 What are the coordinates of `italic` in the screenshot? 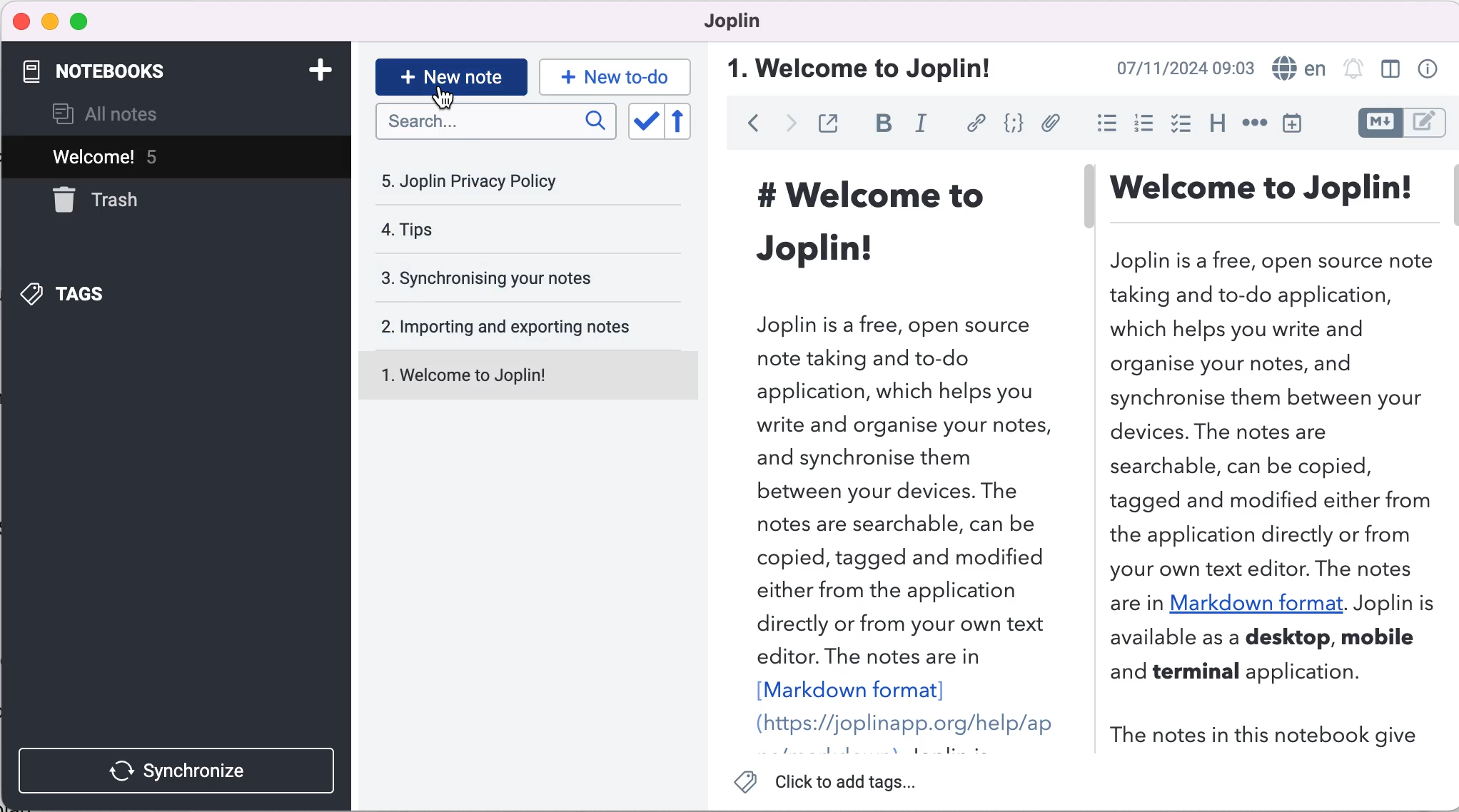 It's located at (923, 123).